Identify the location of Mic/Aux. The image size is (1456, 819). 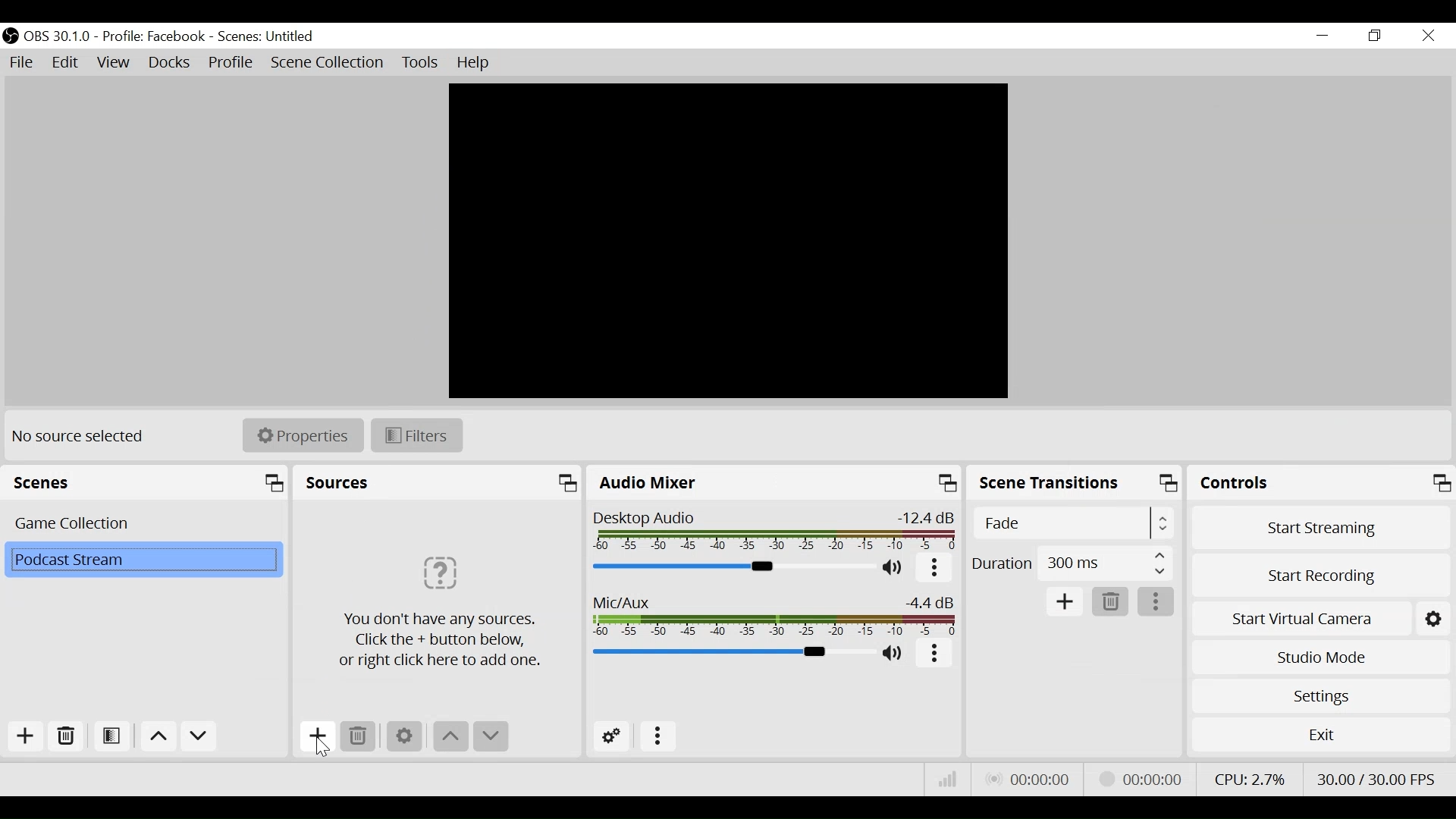
(774, 616).